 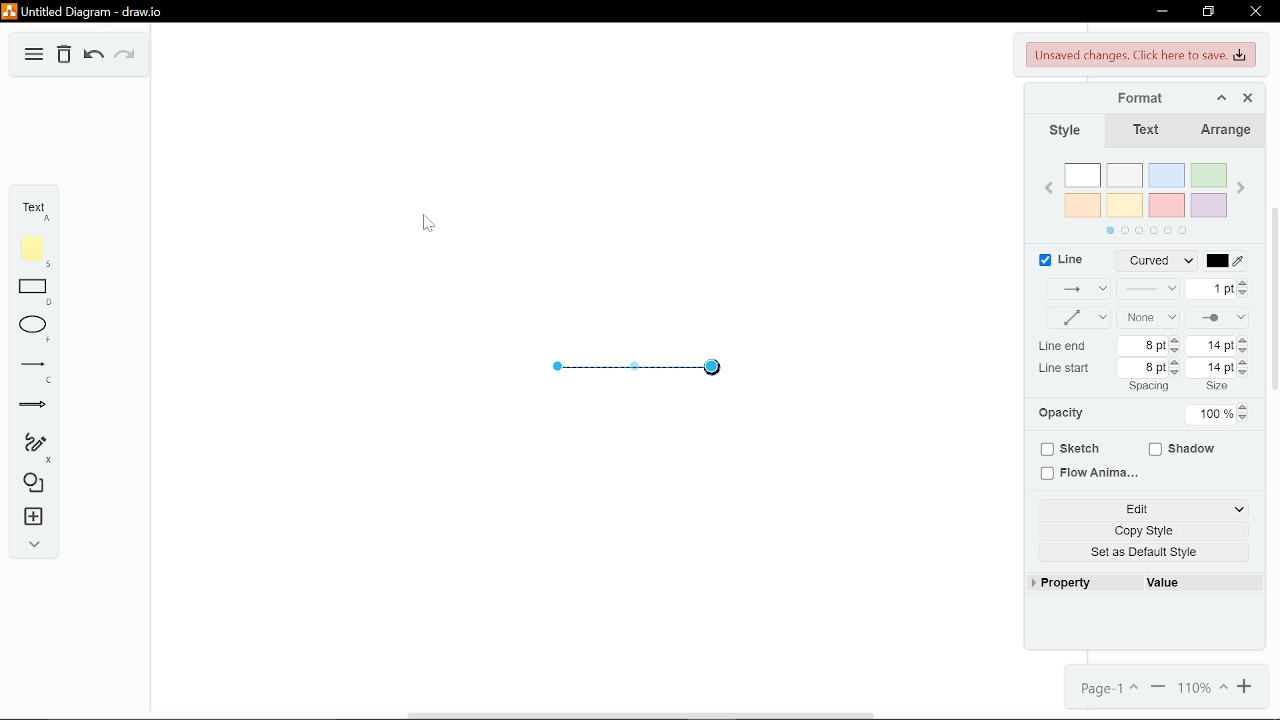 I want to click on Increase linewidth, so click(x=1244, y=283).